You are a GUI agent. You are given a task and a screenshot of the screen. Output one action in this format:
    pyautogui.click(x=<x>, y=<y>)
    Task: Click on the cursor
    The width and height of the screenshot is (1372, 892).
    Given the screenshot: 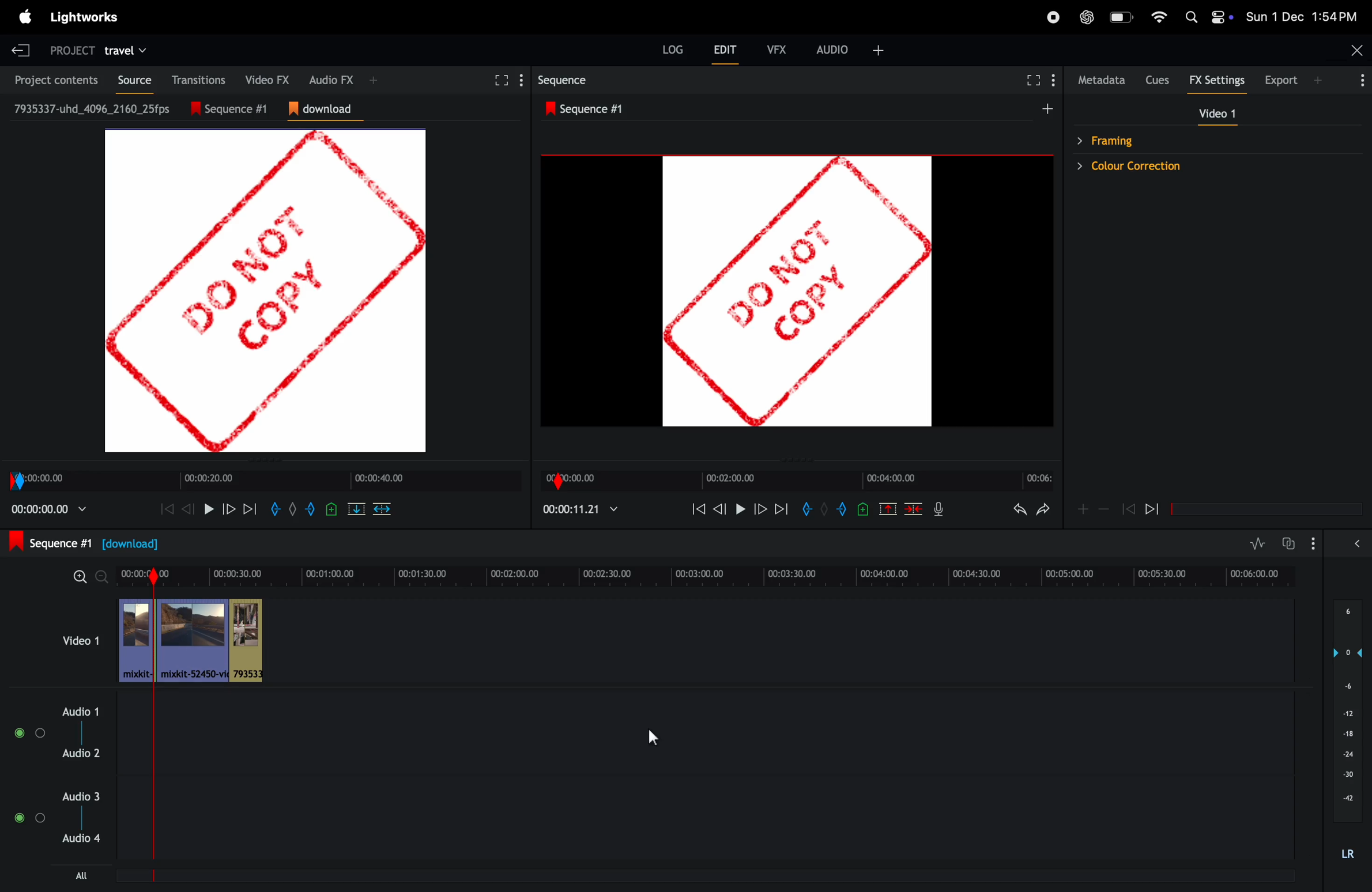 What is the action you would take?
    pyautogui.click(x=653, y=738)
    